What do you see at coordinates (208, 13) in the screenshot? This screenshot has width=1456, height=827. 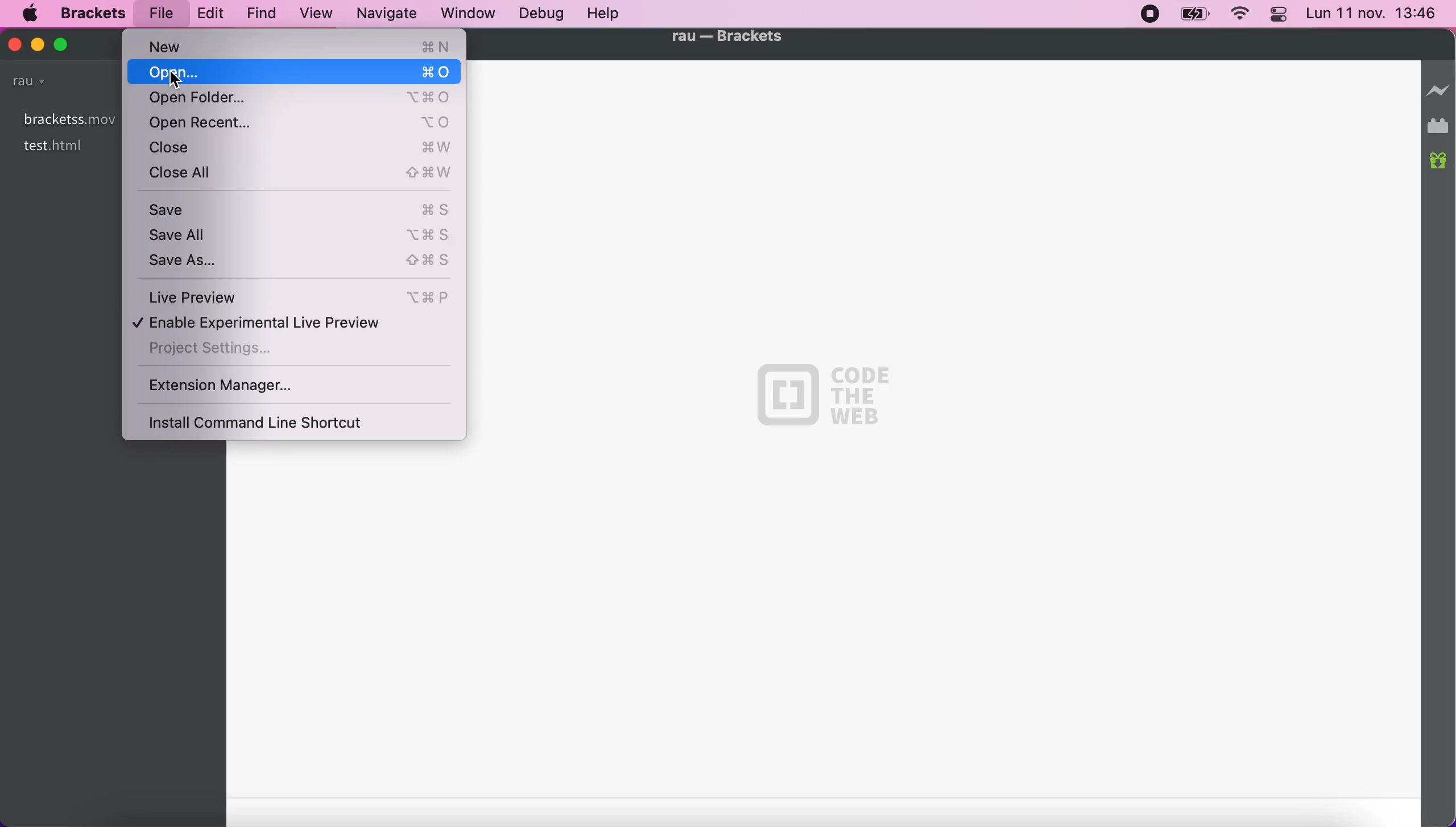 I see `edit` at bounding box center [208, 13].